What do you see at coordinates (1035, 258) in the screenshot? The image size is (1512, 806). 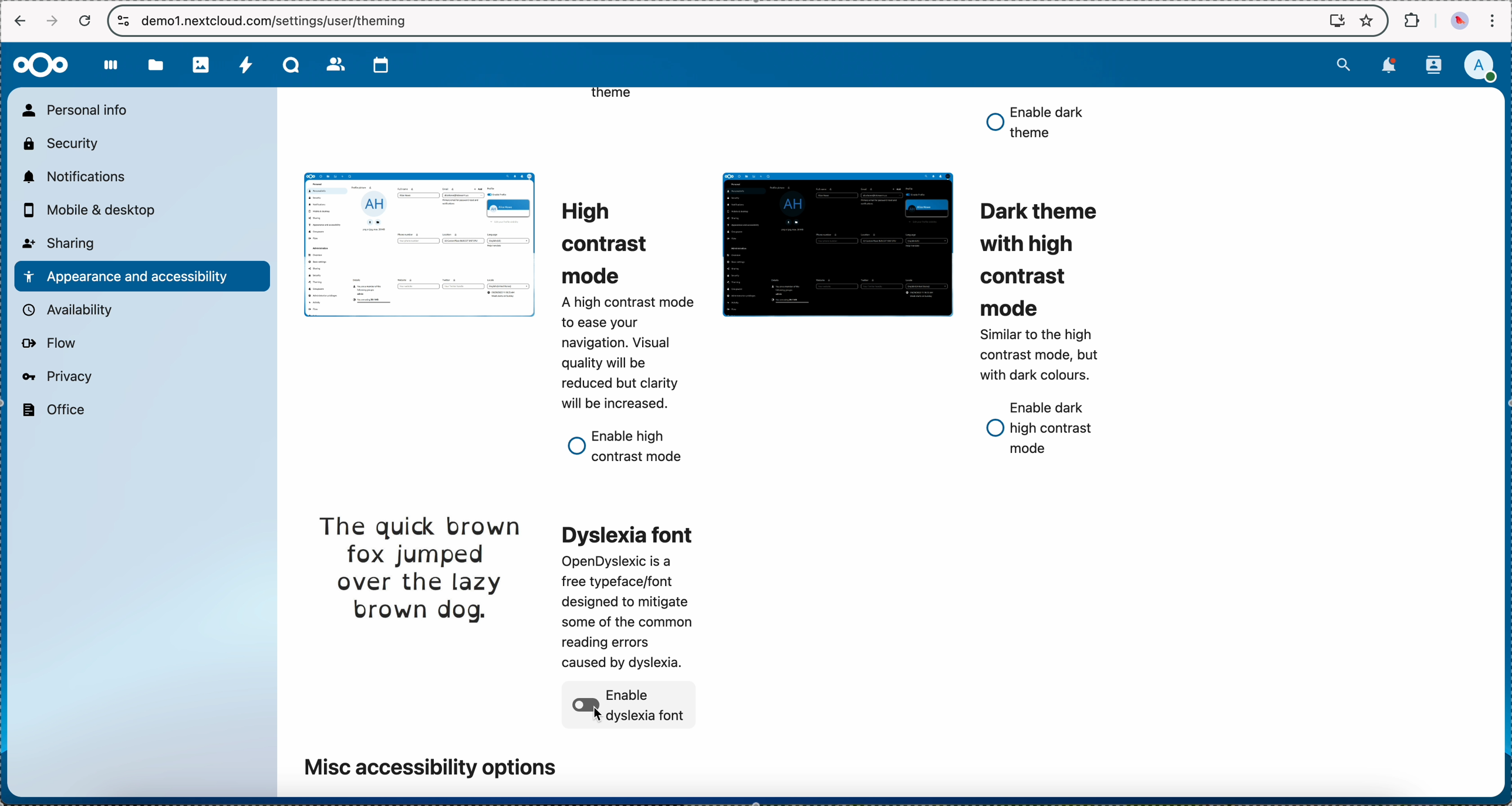 I see `dark theme` at bounding box center [1035, 258].